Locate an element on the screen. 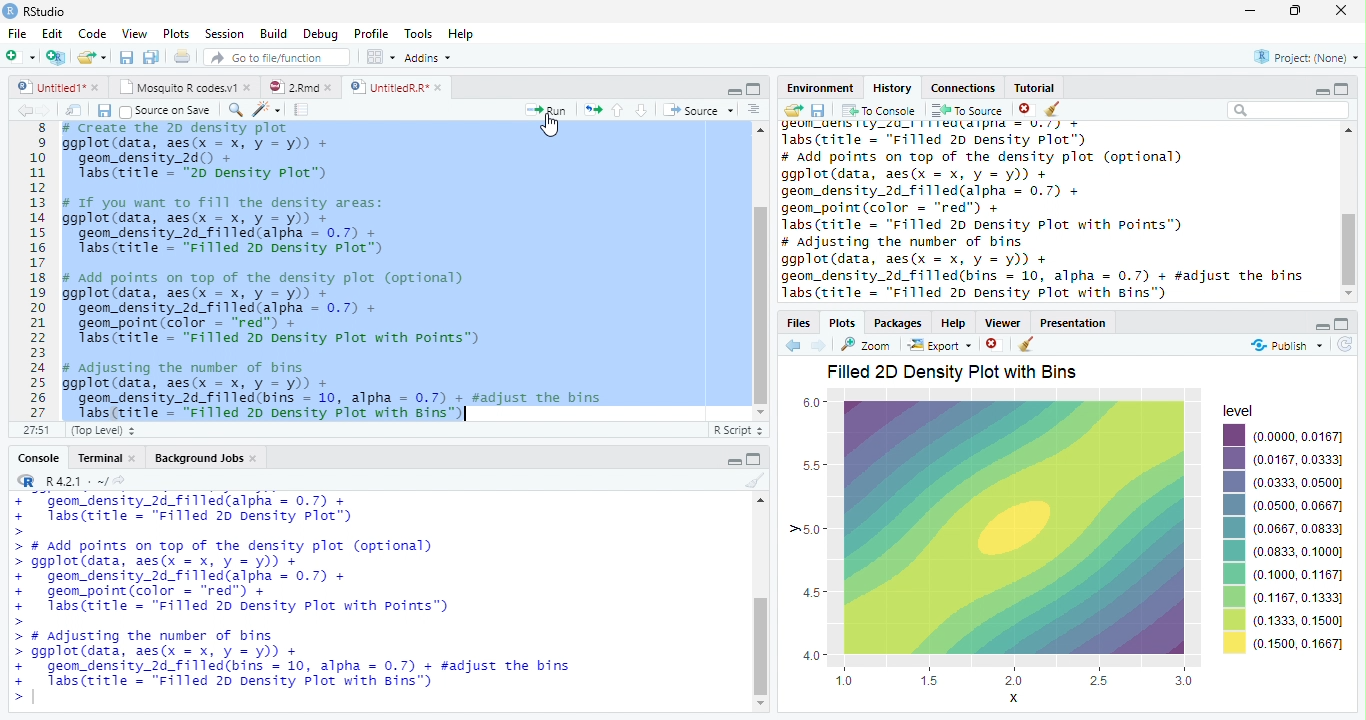 This screenshot has height=720, width=1366. up is located at coordinates (618, 110).